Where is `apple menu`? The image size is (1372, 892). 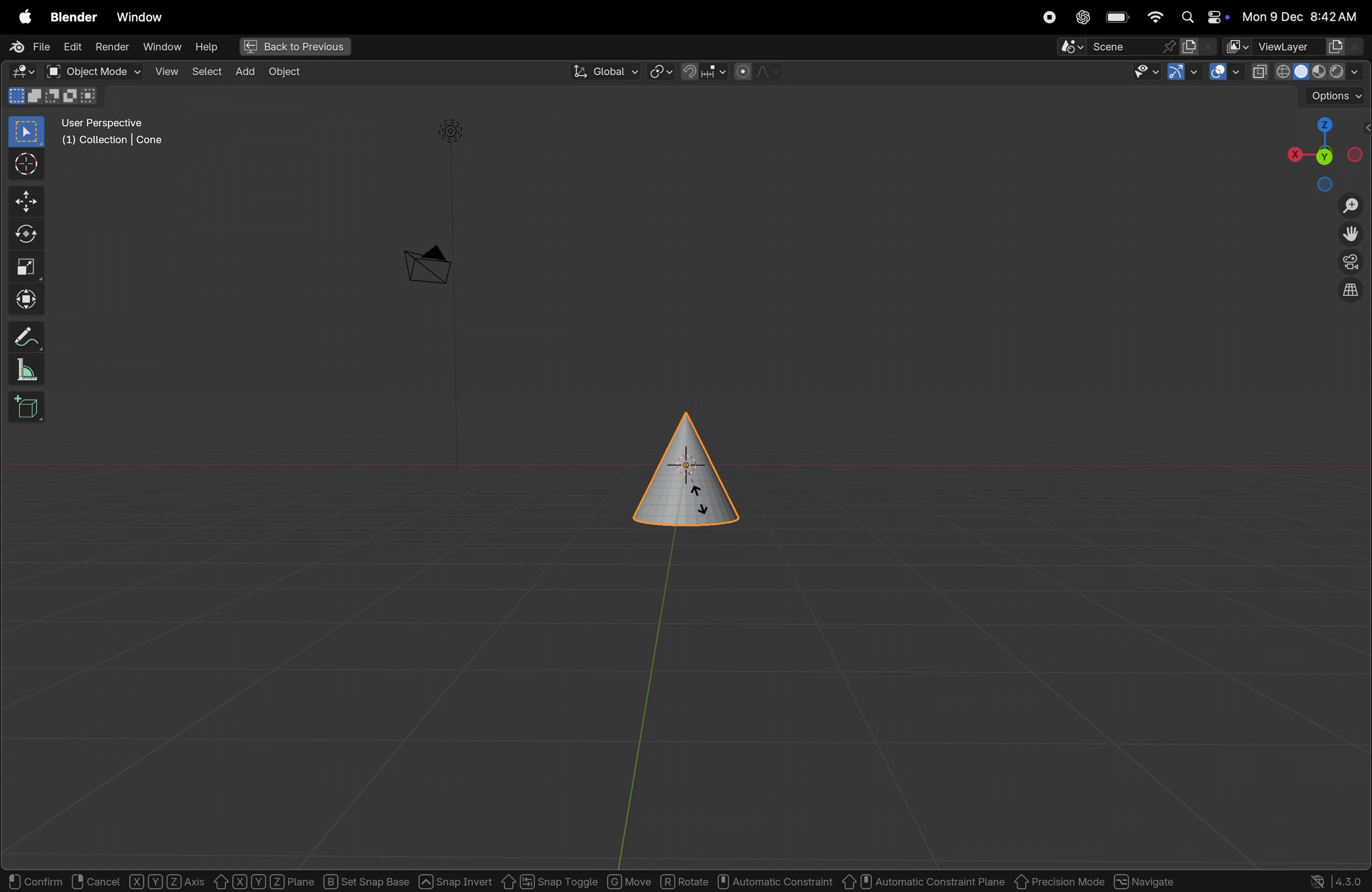 apple menu is located at coordinates (22, 14).